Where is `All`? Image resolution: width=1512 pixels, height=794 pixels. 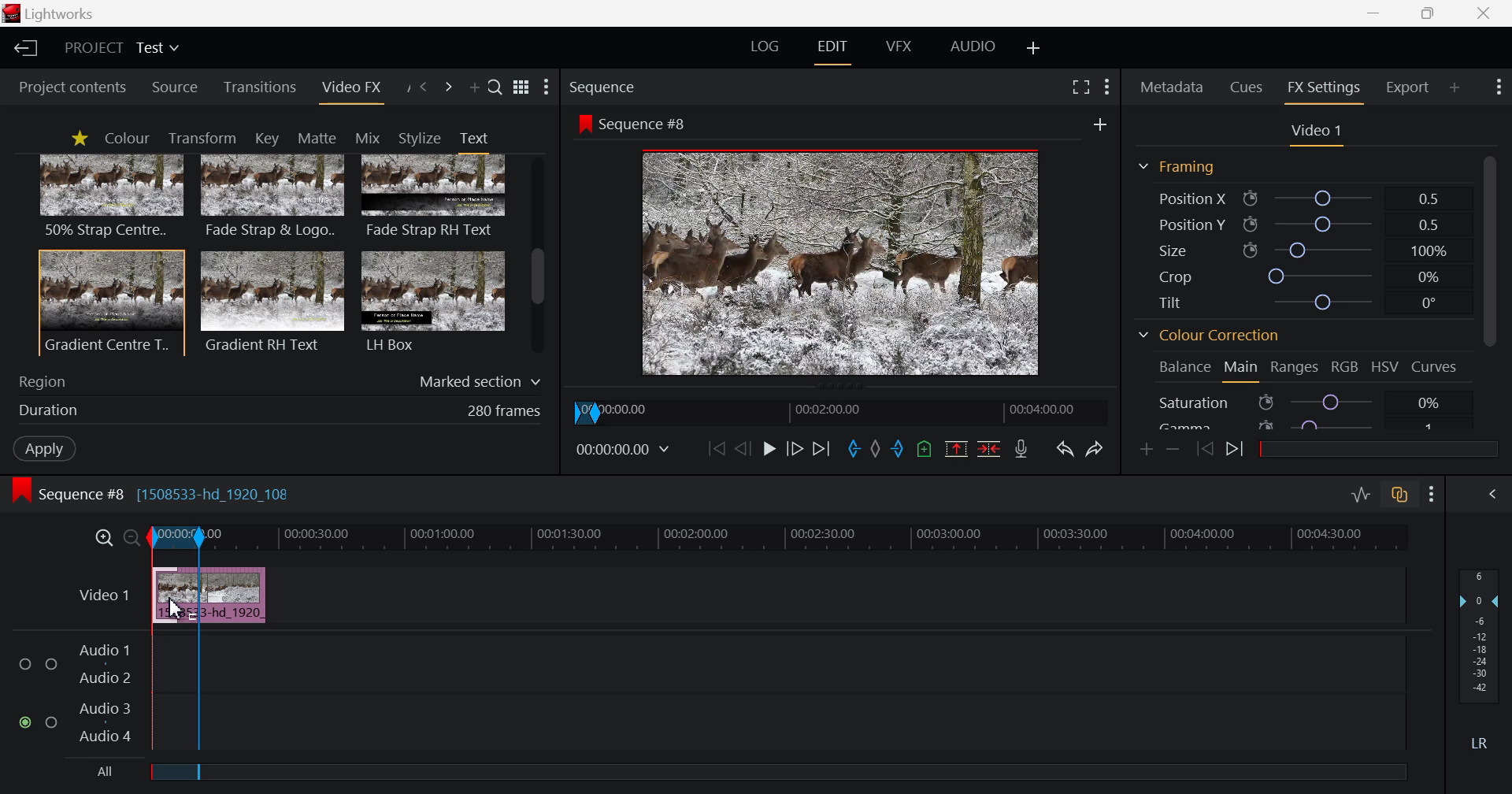 All is located at coordinates (94, 774).